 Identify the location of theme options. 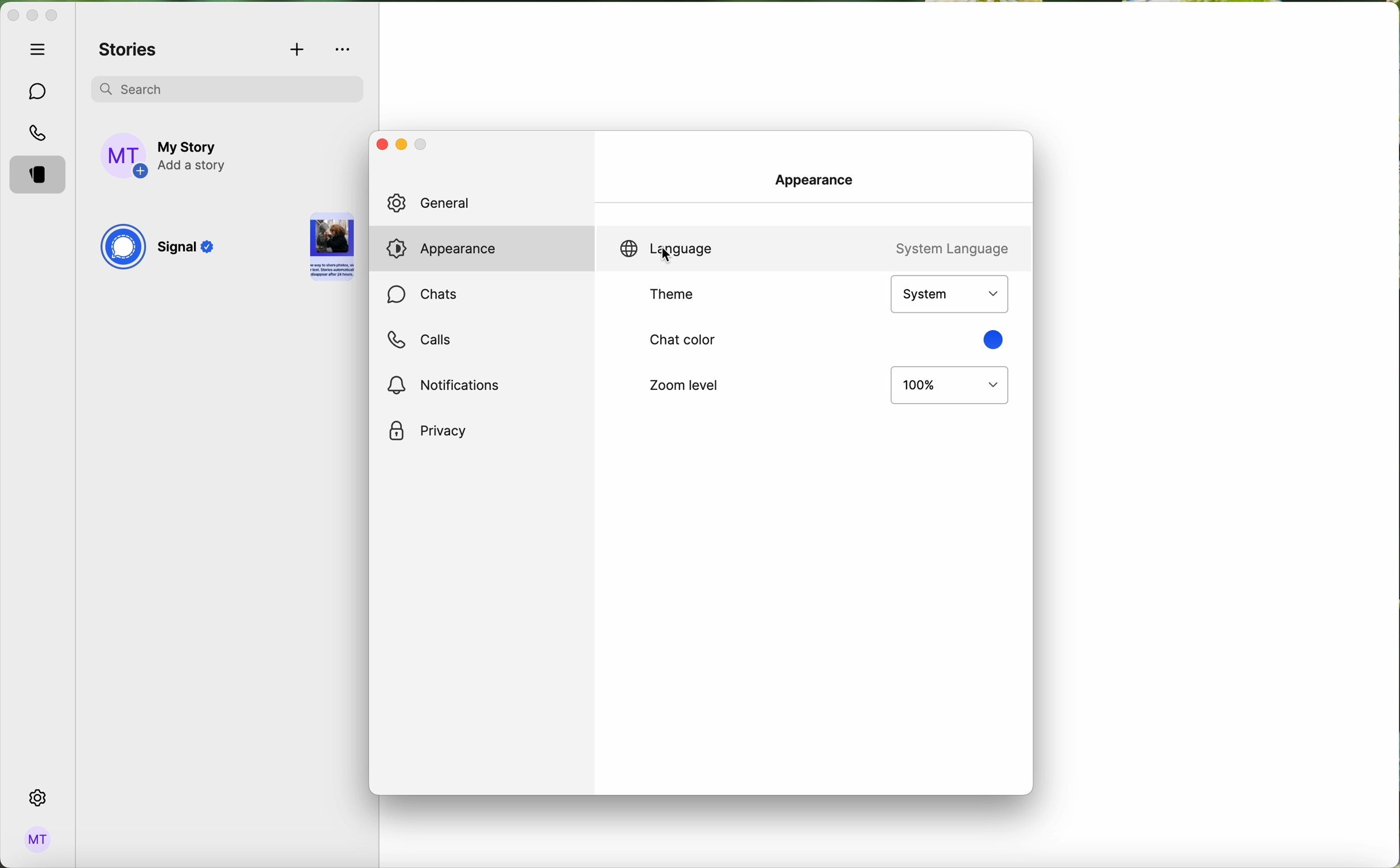
(948, 294).